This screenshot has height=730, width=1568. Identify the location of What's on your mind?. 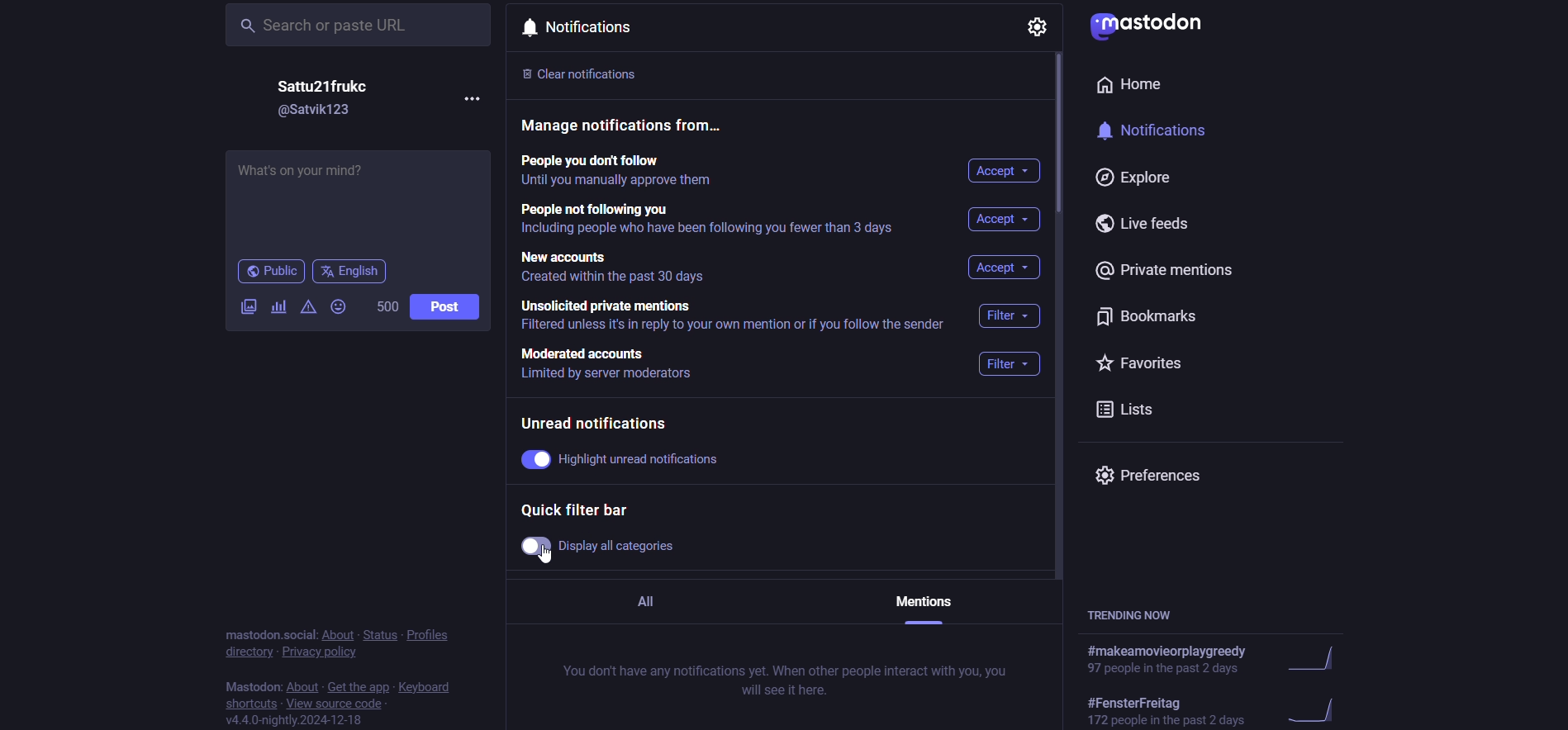
(355, 201).